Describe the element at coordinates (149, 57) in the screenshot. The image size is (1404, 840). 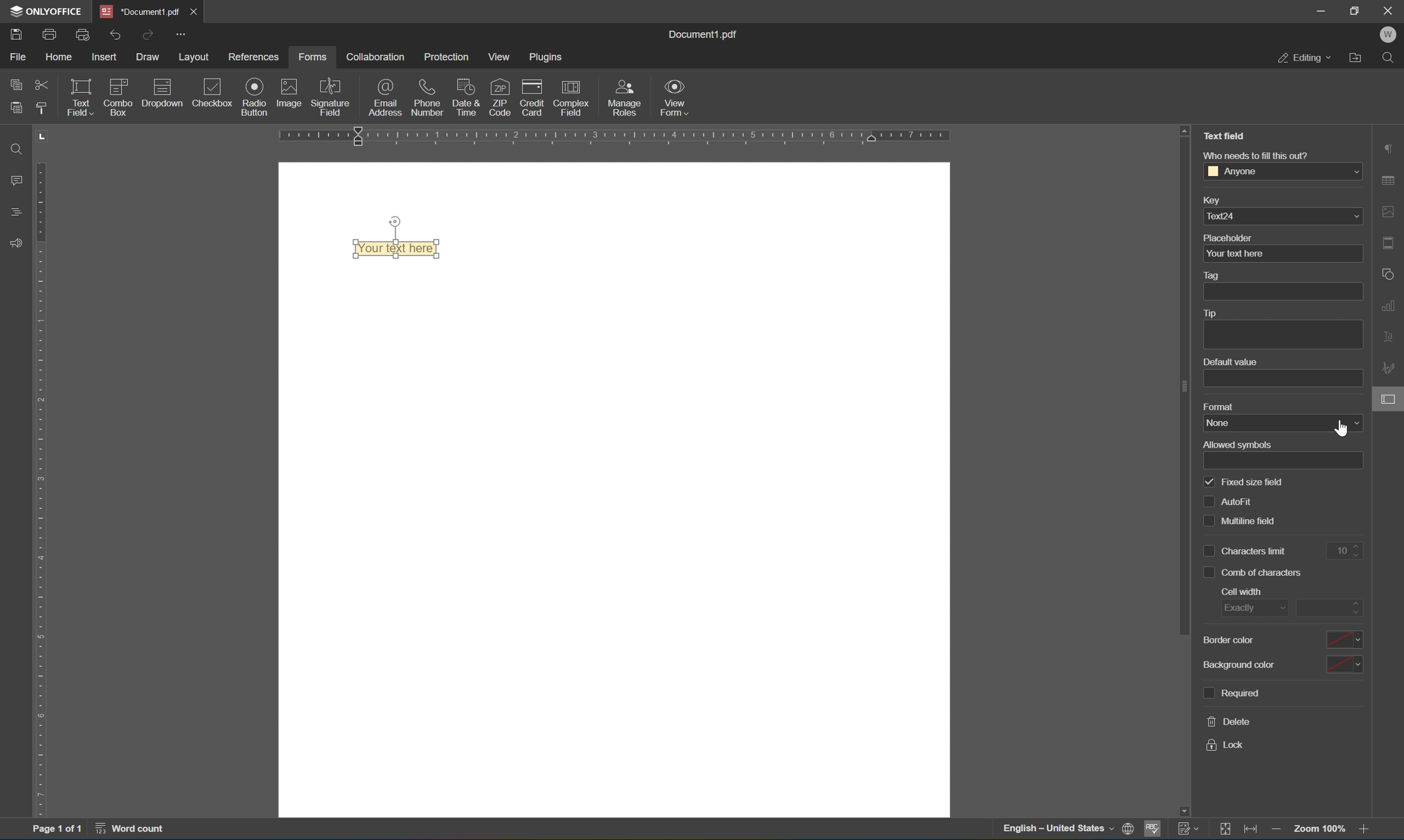
I see `draw` at that location.